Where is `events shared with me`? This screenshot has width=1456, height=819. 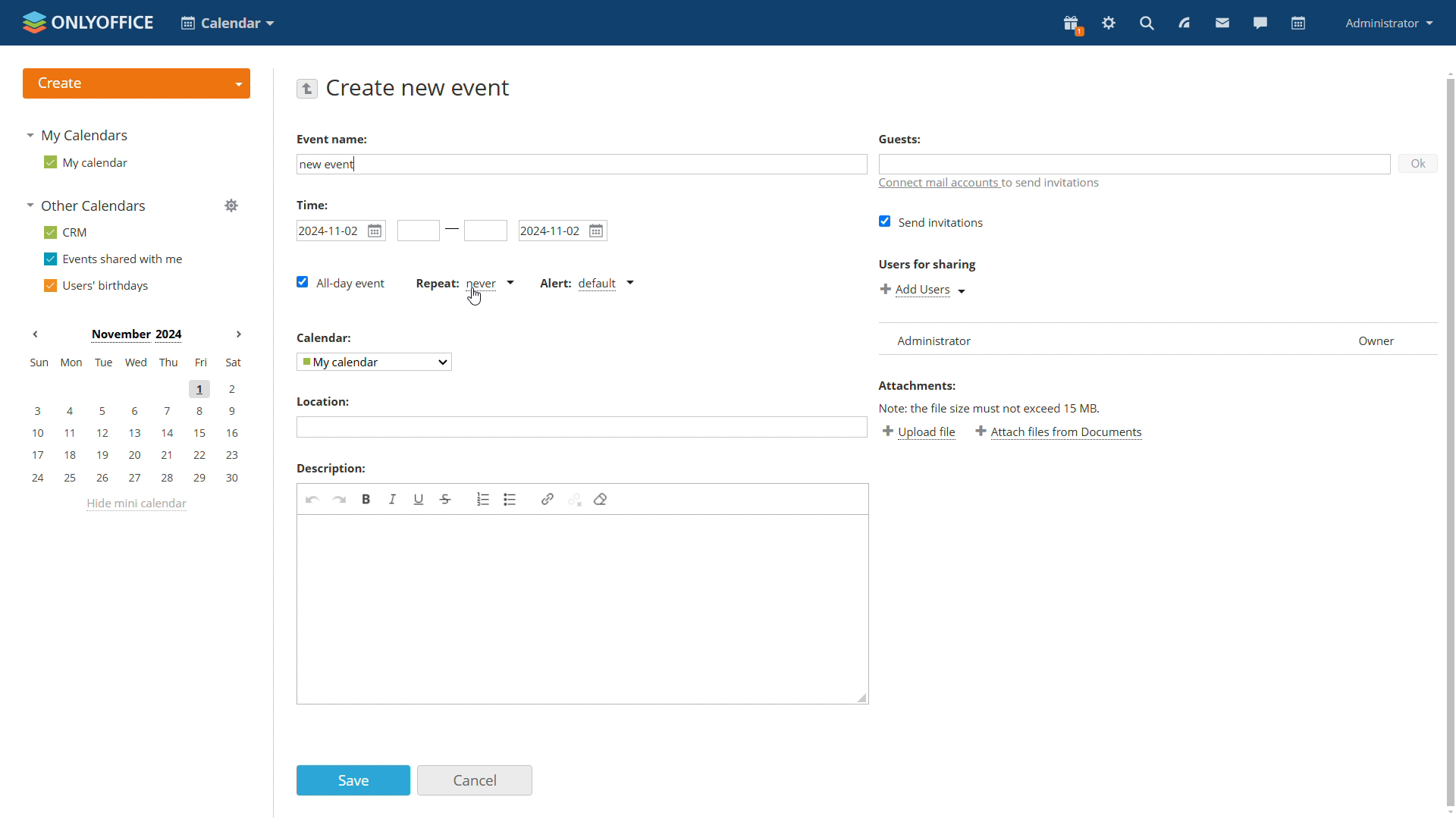 events shared with me is located at coordinates (113, 259).